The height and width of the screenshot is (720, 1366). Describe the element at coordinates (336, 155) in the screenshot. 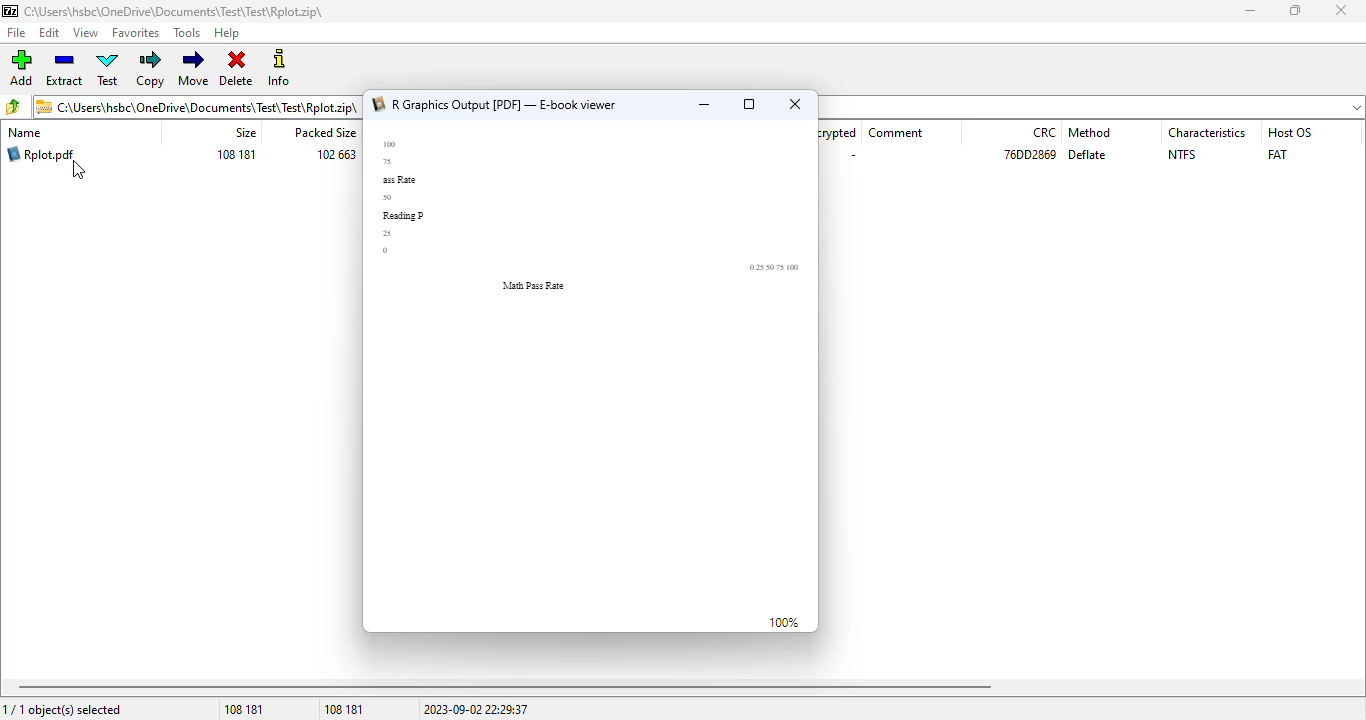

I see `102 663` at that location.